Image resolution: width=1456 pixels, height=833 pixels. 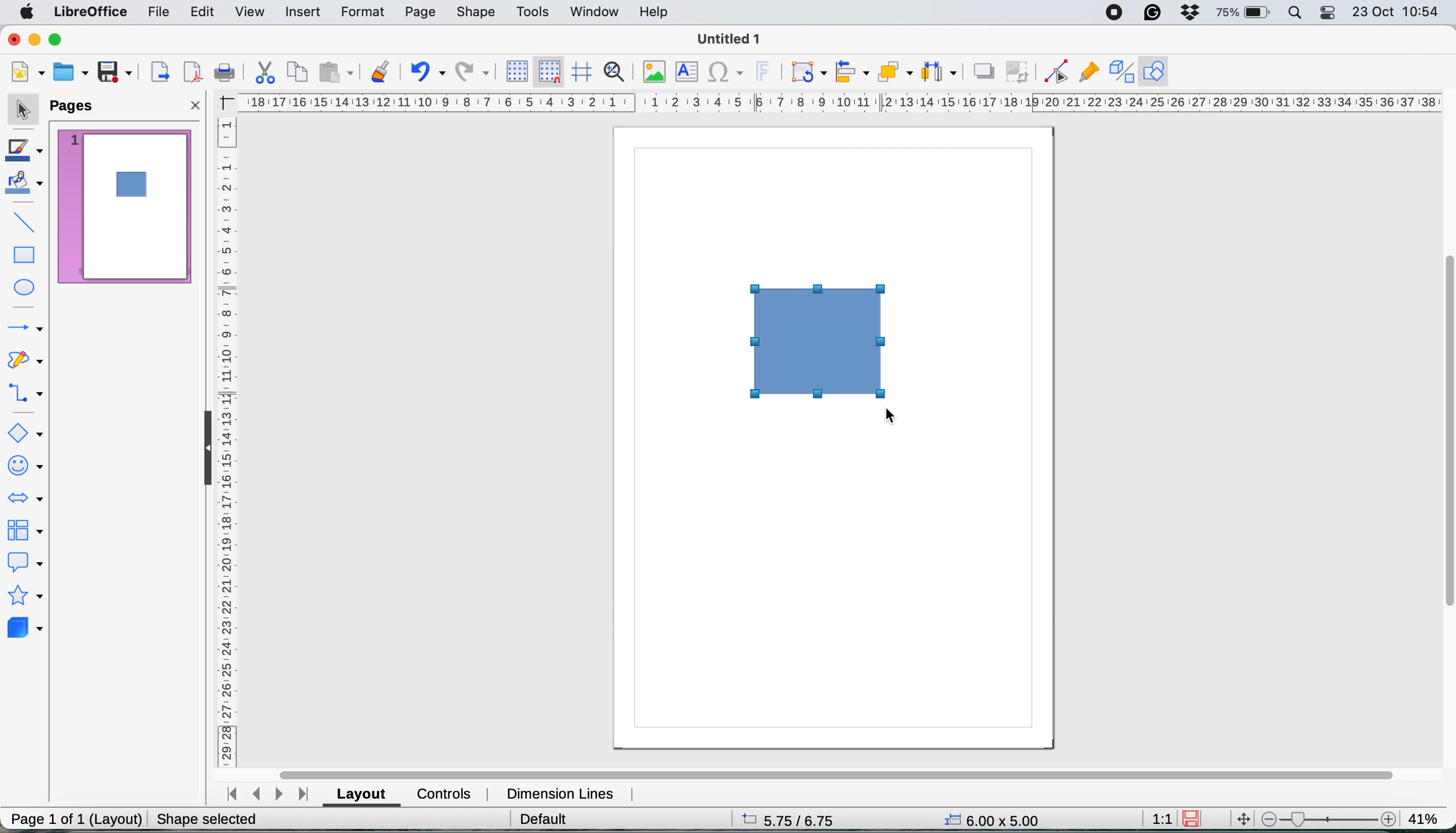 I want to click on export directly as pdf, so click(x=193, y=73).